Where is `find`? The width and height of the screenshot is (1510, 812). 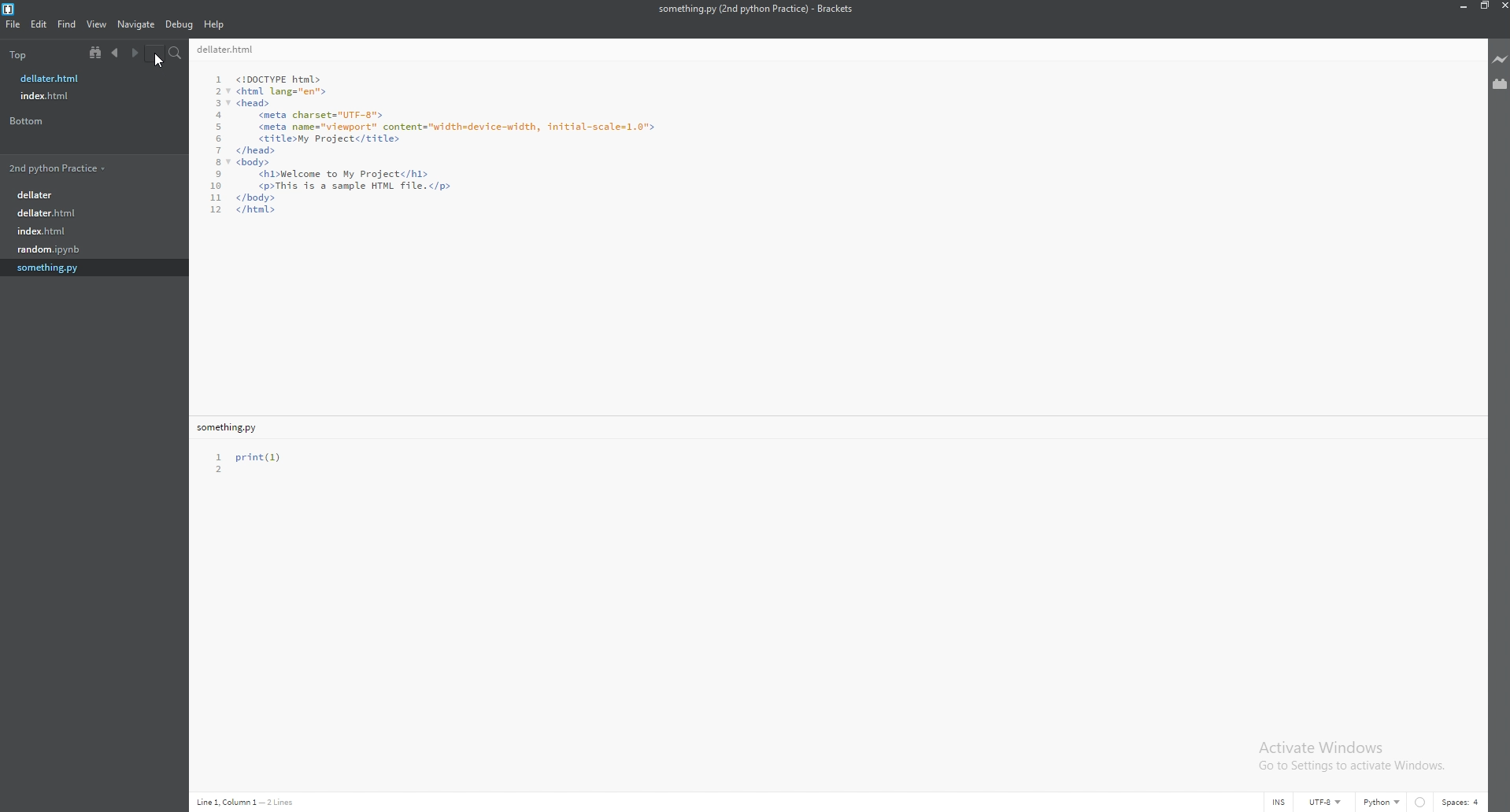
find is located at coordinates (68, 24).